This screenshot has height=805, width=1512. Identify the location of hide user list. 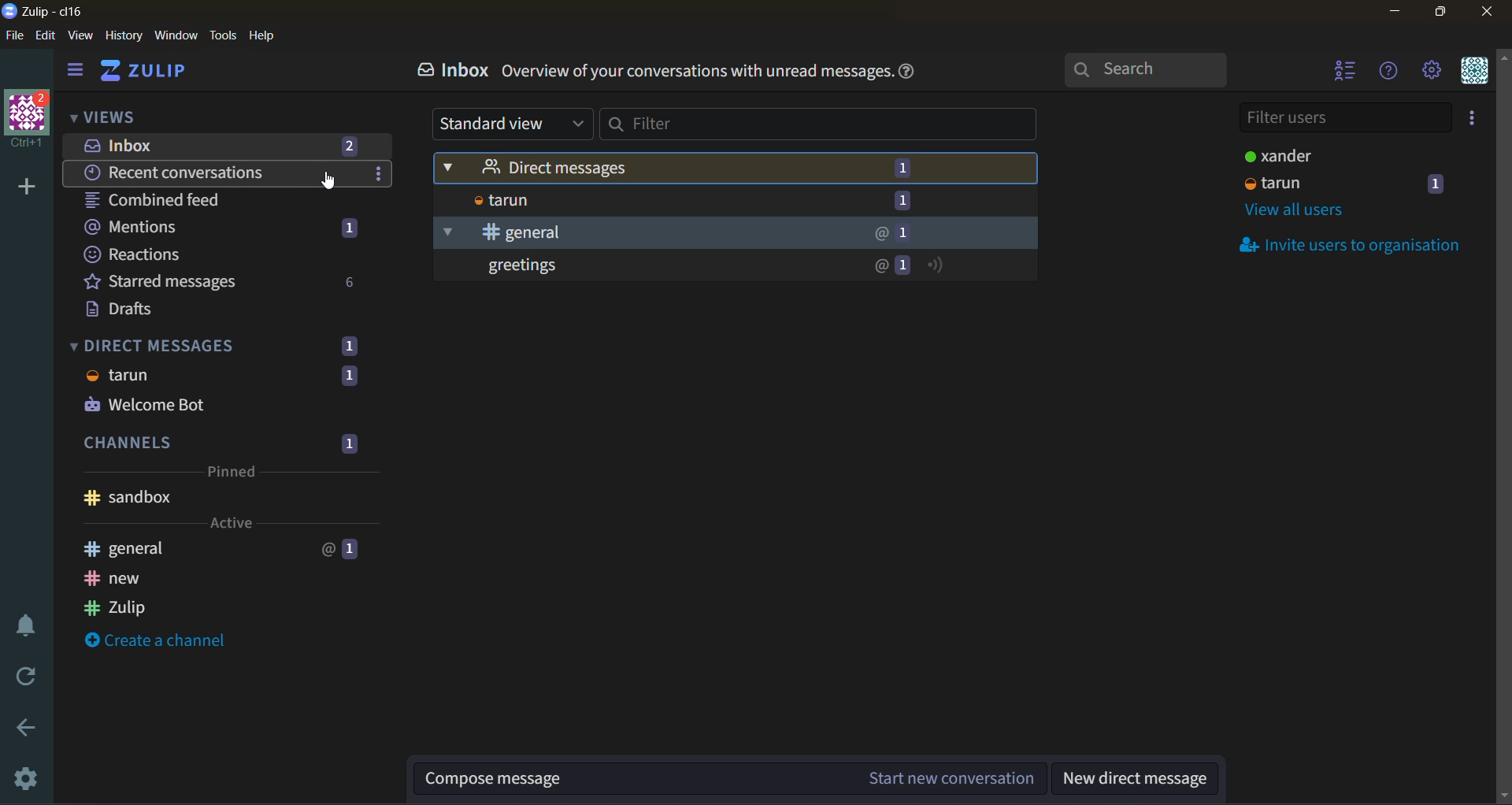
(1350, 72).